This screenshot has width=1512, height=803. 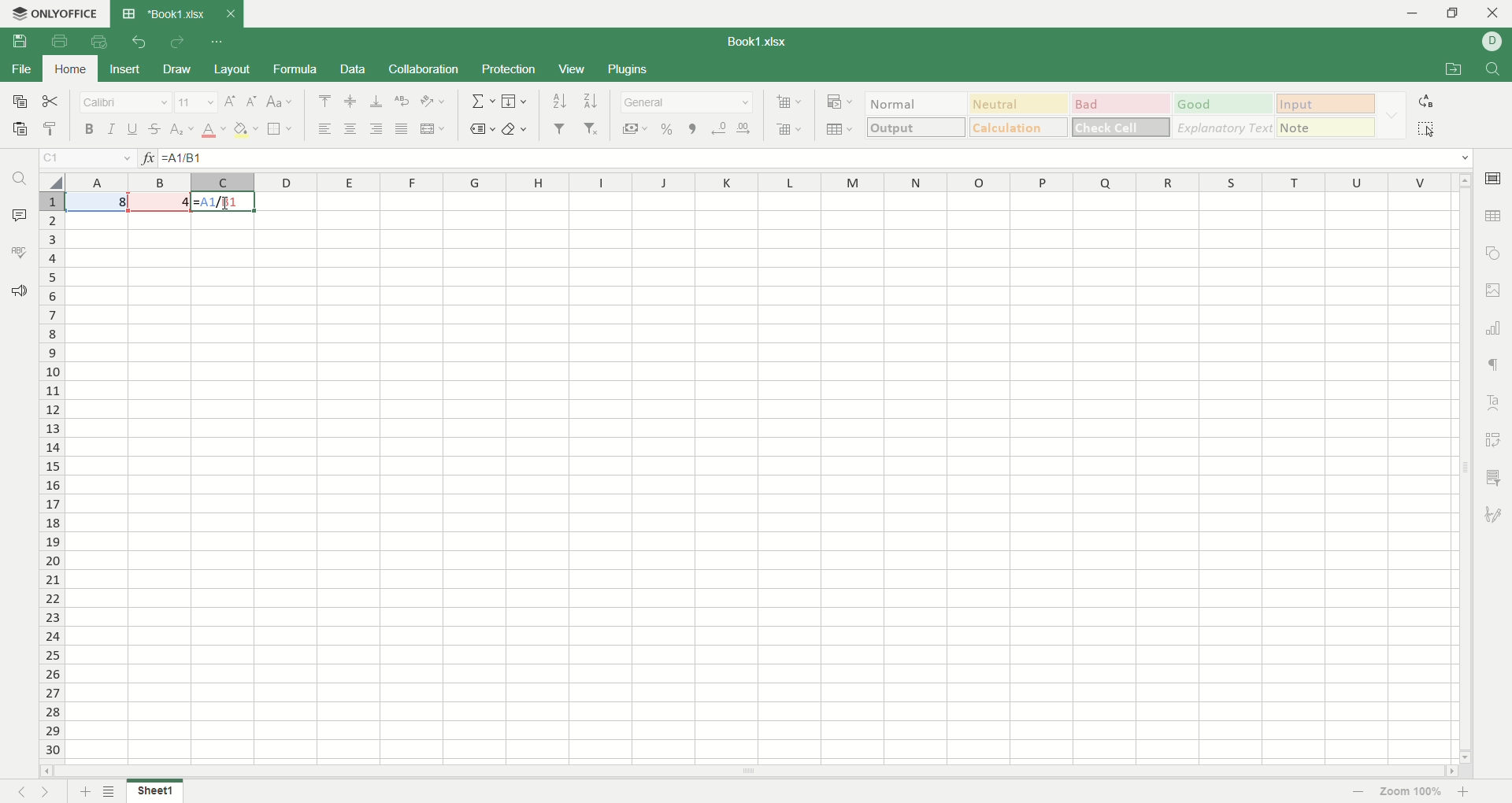 I want to click on Book1.xlsx, so click(x=161, y=13).